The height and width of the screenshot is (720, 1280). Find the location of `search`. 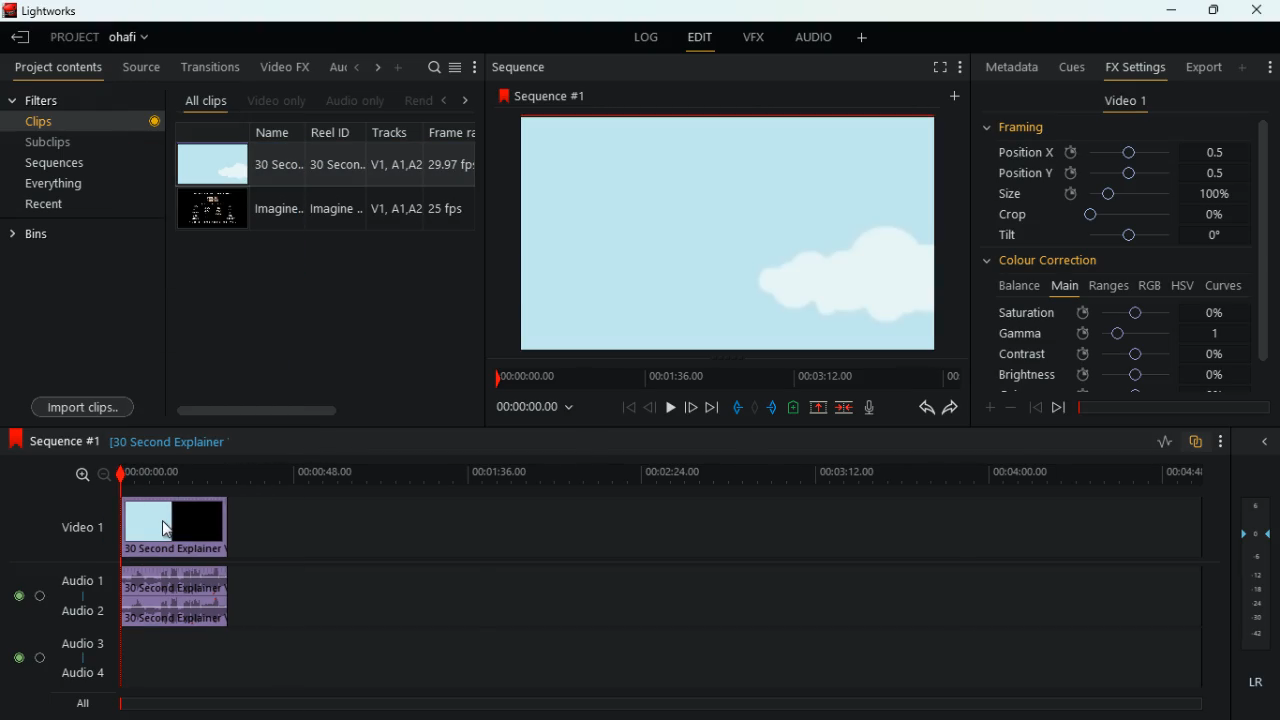

search is located at coordinates (430, 68).